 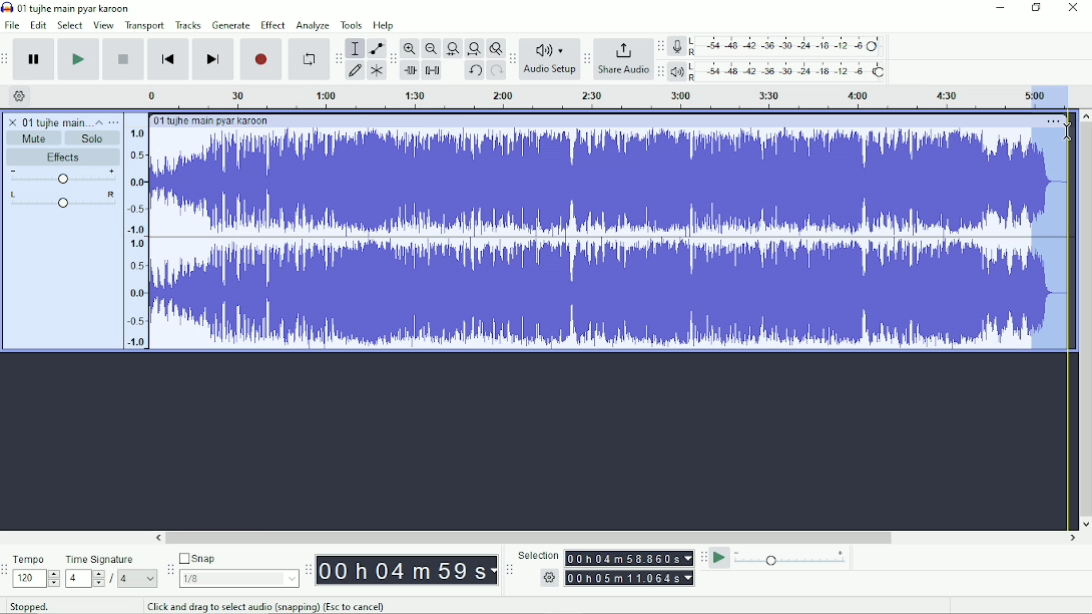 What do you see at coordinates (262, 60) in the screenshot?
I see `Record` at bounding box center [262, 60].